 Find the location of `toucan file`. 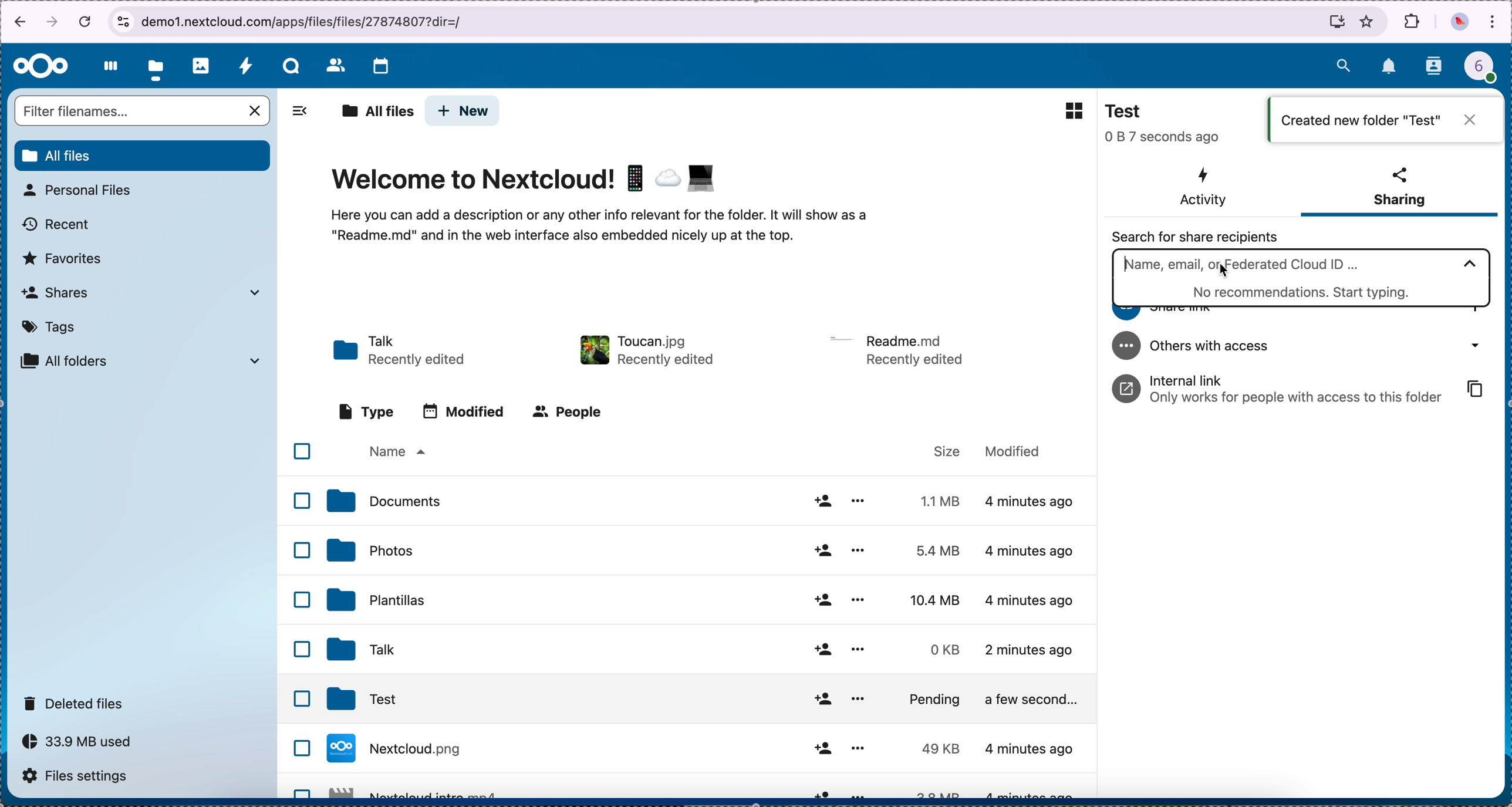

toucan file is located at coordinates (645, 347).